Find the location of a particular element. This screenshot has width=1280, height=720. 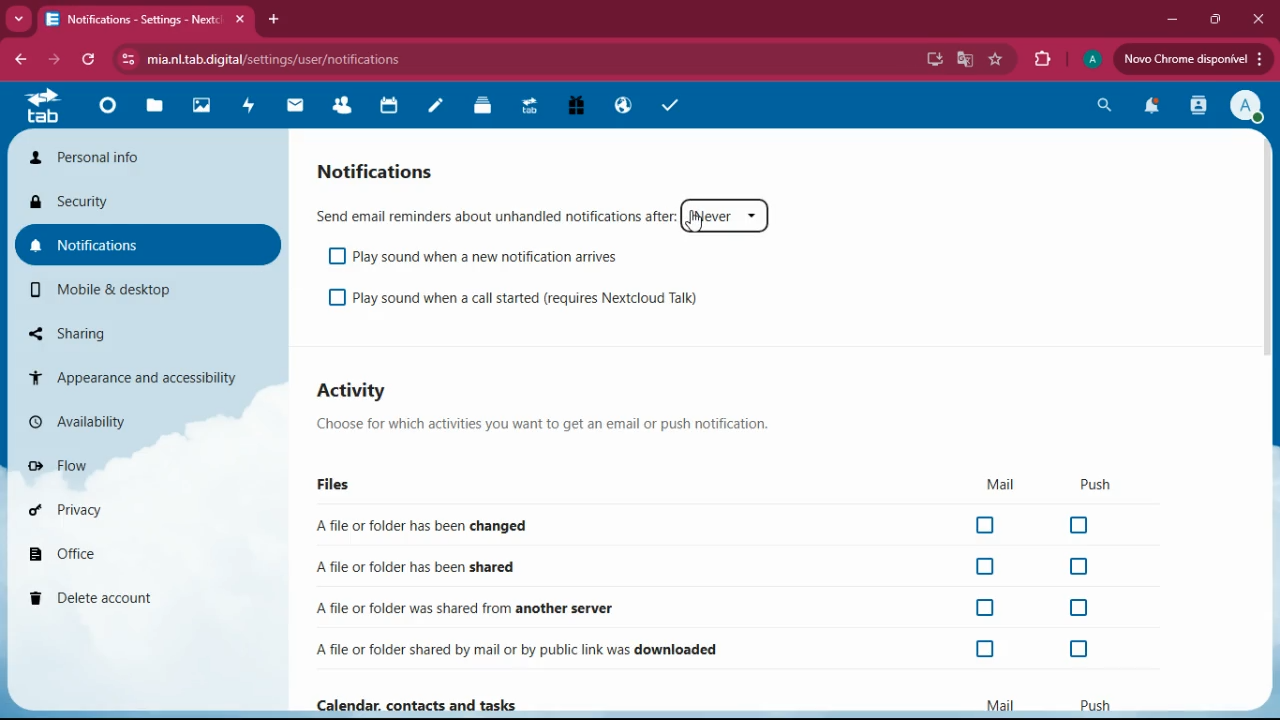

notifications is located at coordinates (148, 245).